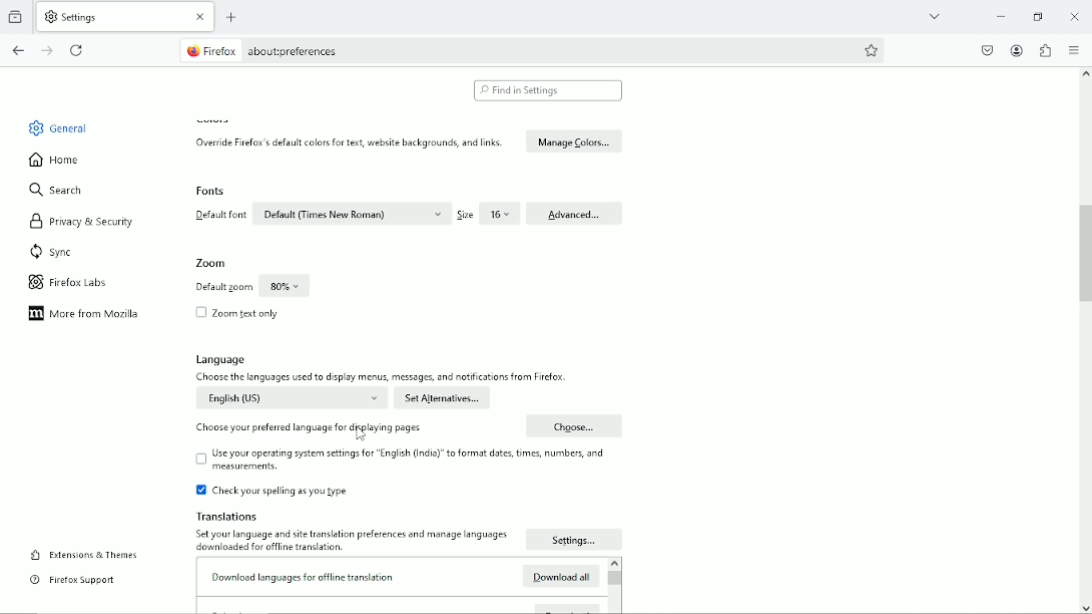 This screenshot has width=1092, height=614. I want to click on reload current page, so click(78, 49).